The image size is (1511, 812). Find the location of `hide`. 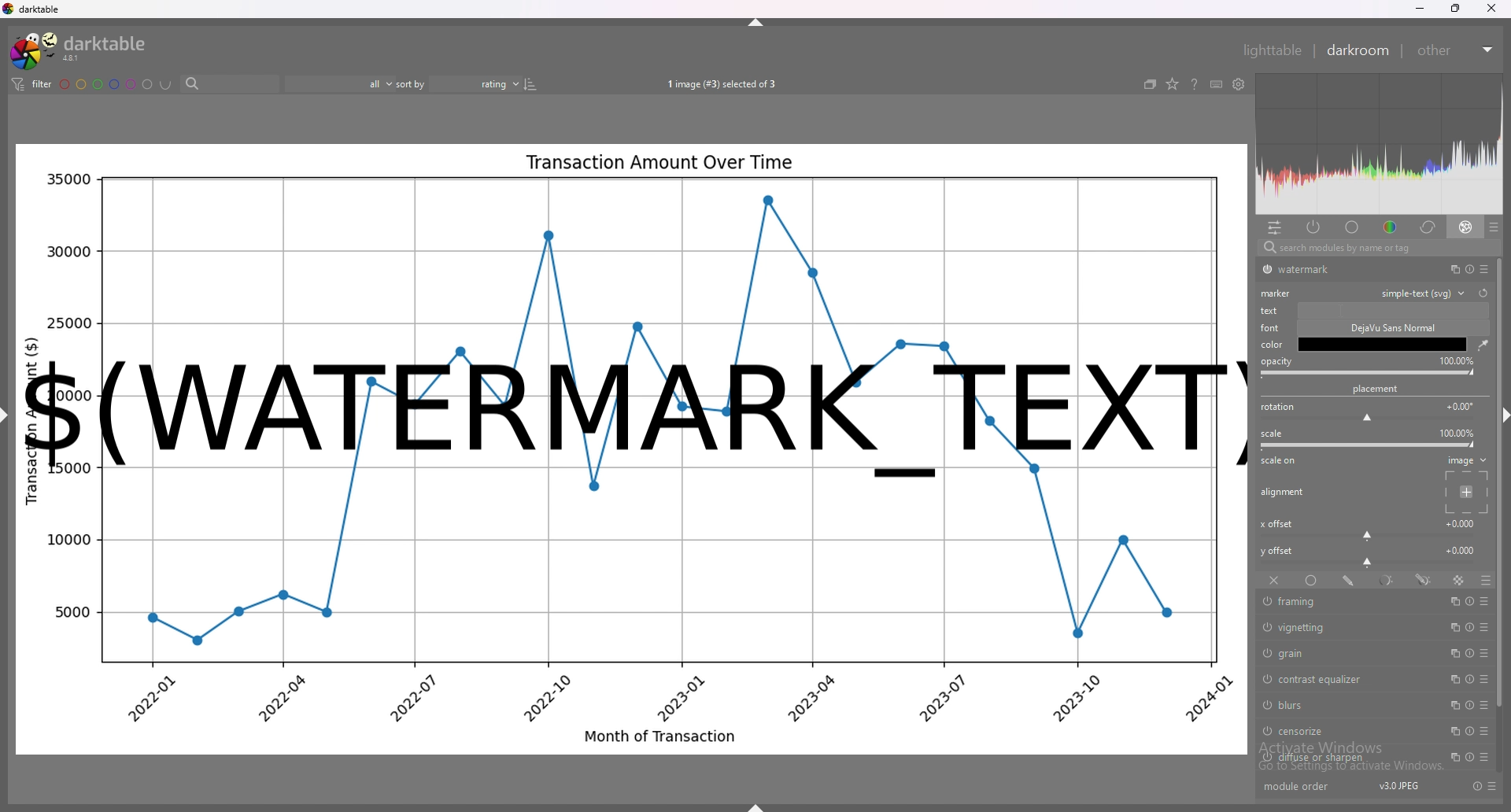

hide is located at coordinates (755, 806).